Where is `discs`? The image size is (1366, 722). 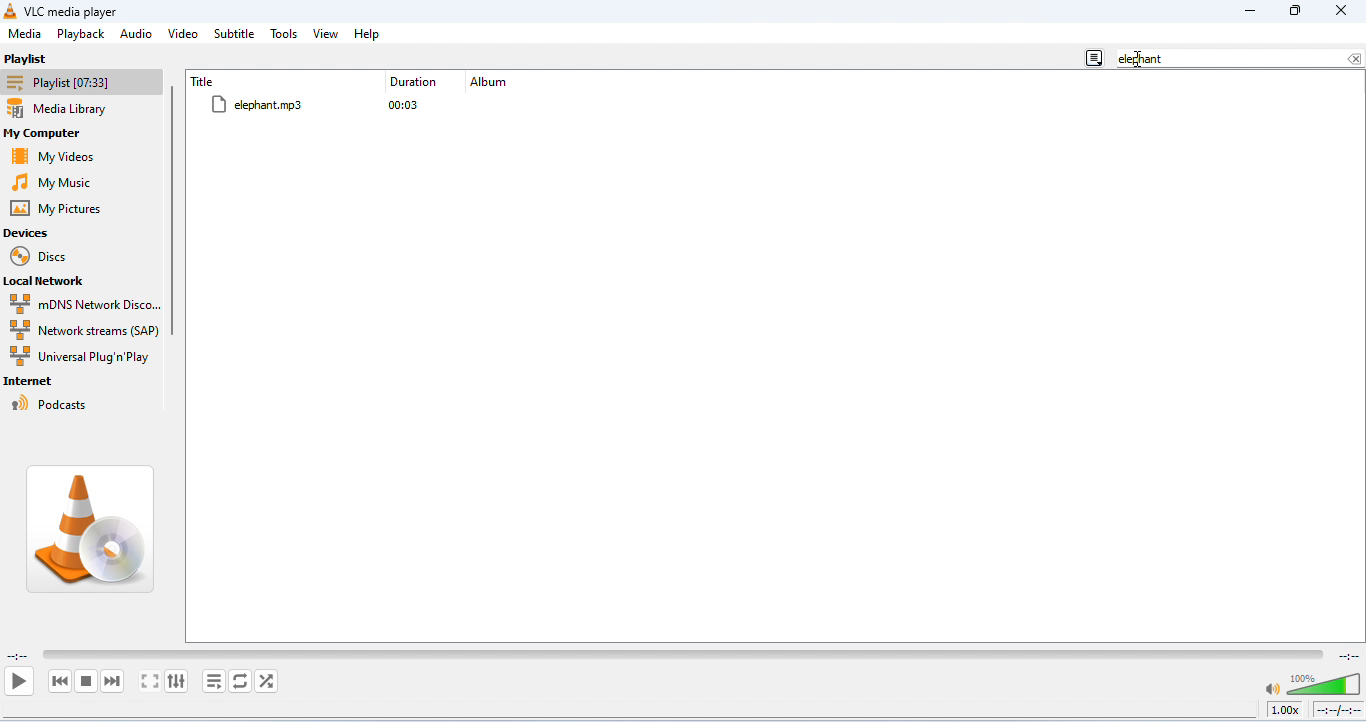
discs is located at coordinates (44, 257).